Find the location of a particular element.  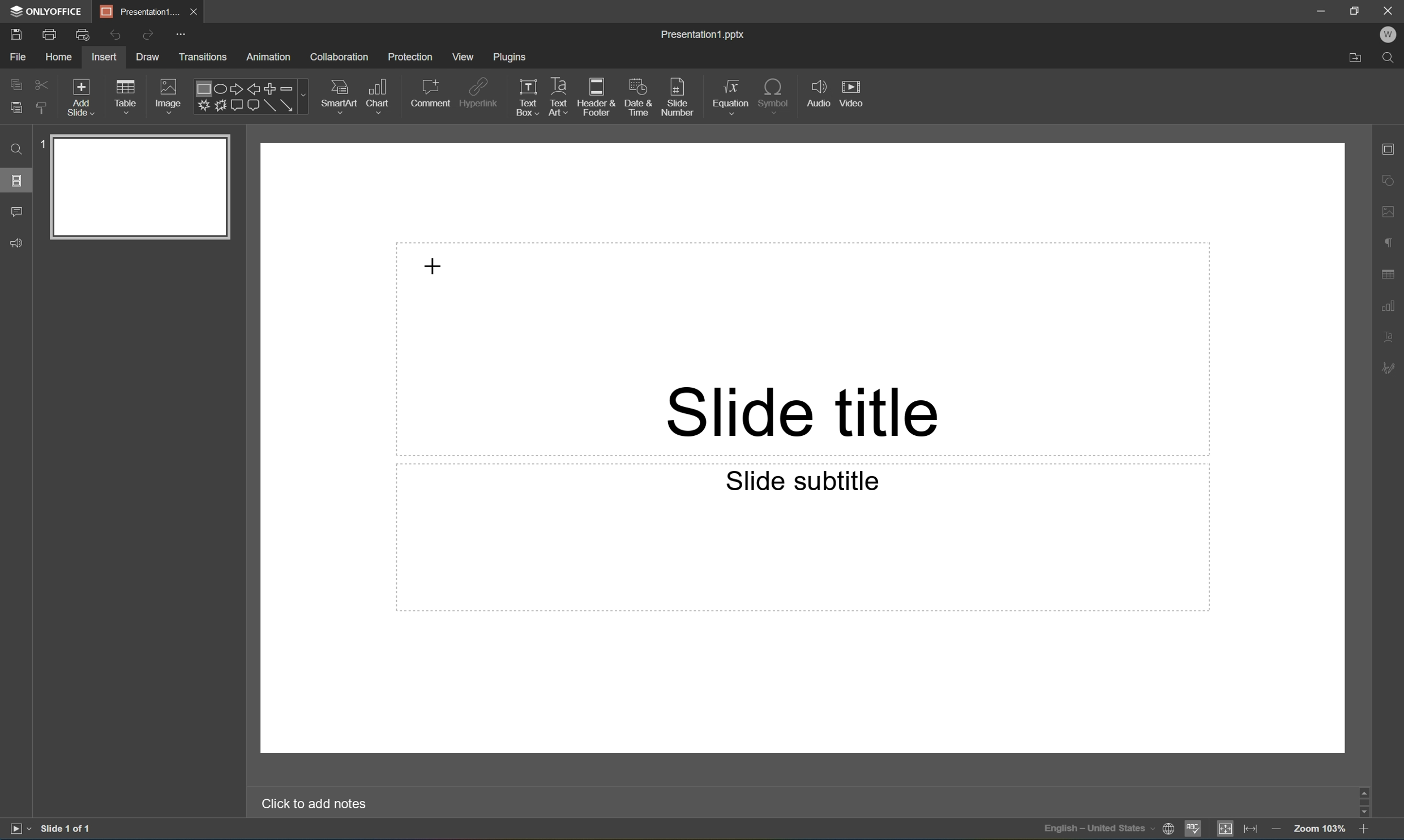

Minus is located at coordinates (293, 88).